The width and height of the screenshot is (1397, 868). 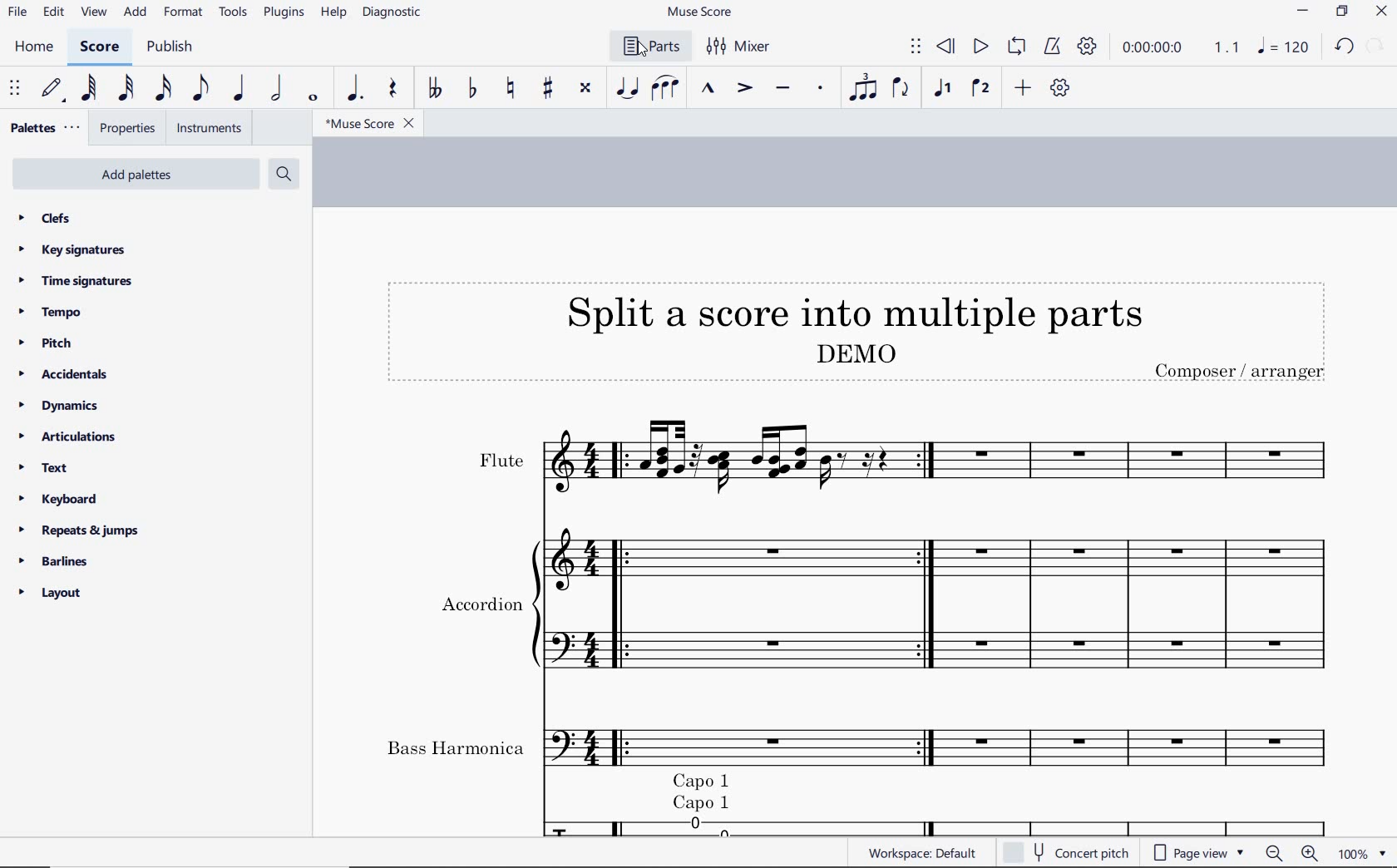 I want to click on concert pitch, so click(x=1077, y=855).